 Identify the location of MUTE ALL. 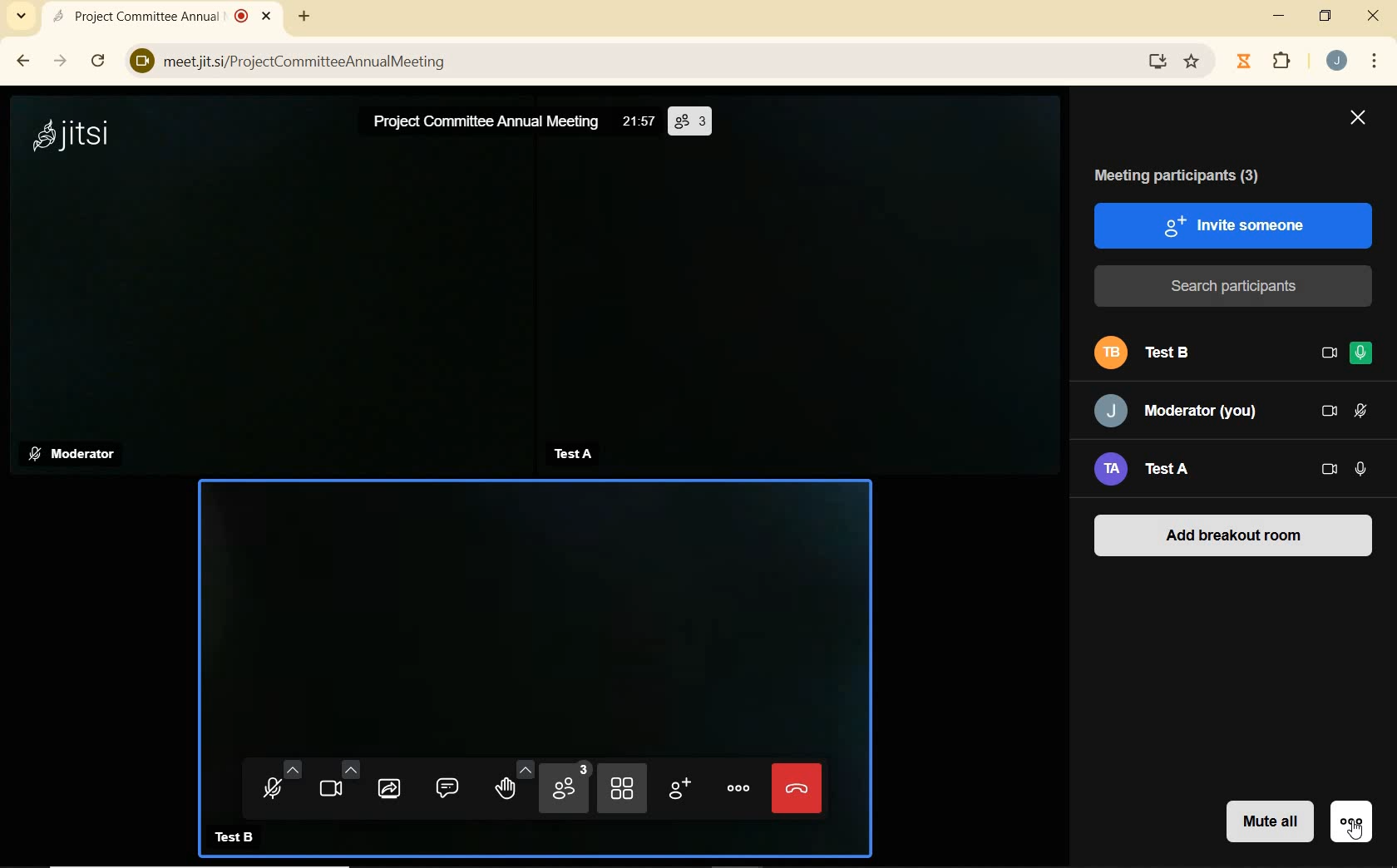
(1266, 824).